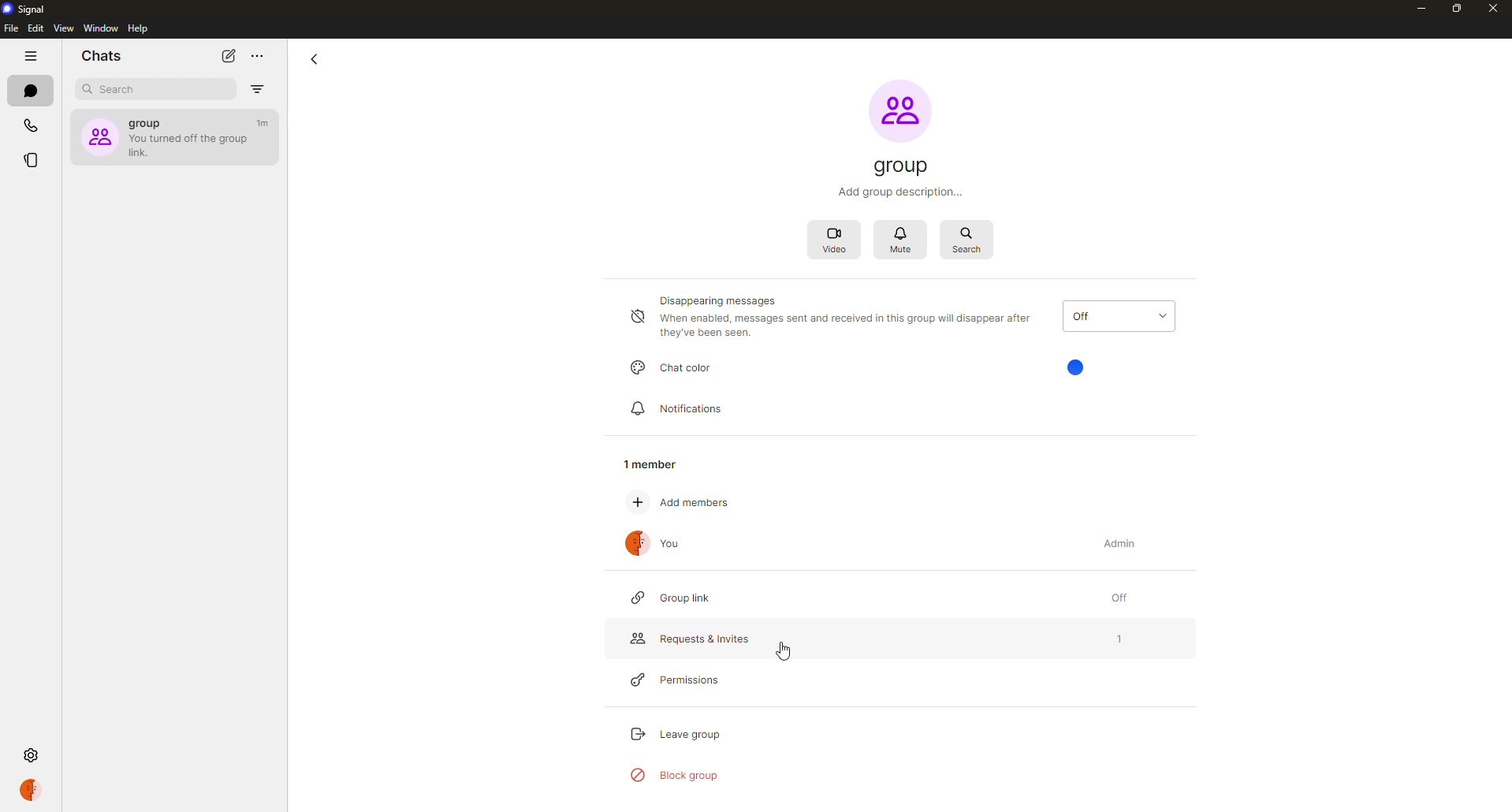 This screenshot has width=1512, height=812. I want to click on permissions, so click(685, 681).